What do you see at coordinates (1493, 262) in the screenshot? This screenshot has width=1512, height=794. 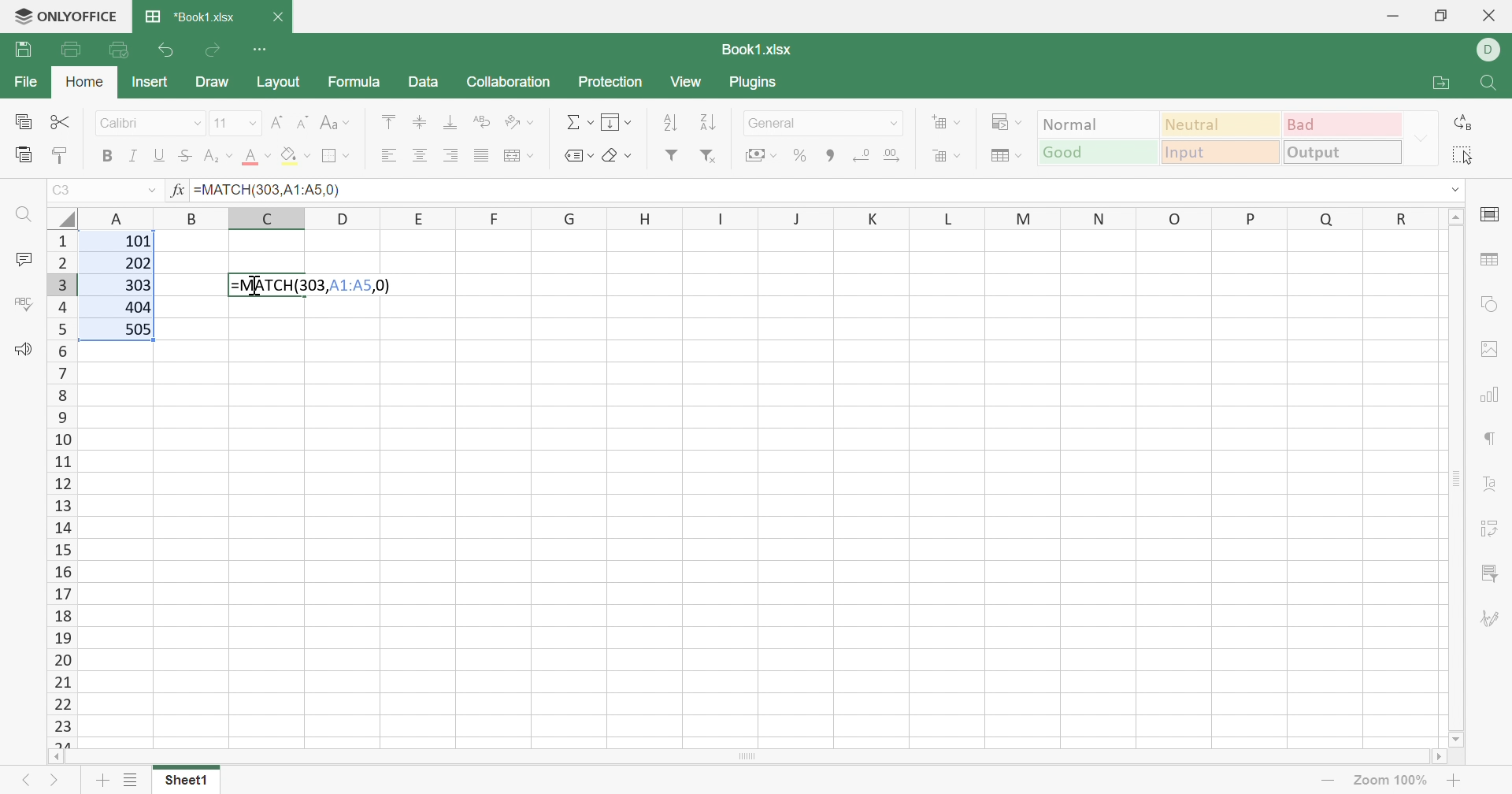 I see `table settings` at bounding box center [1493, 262].